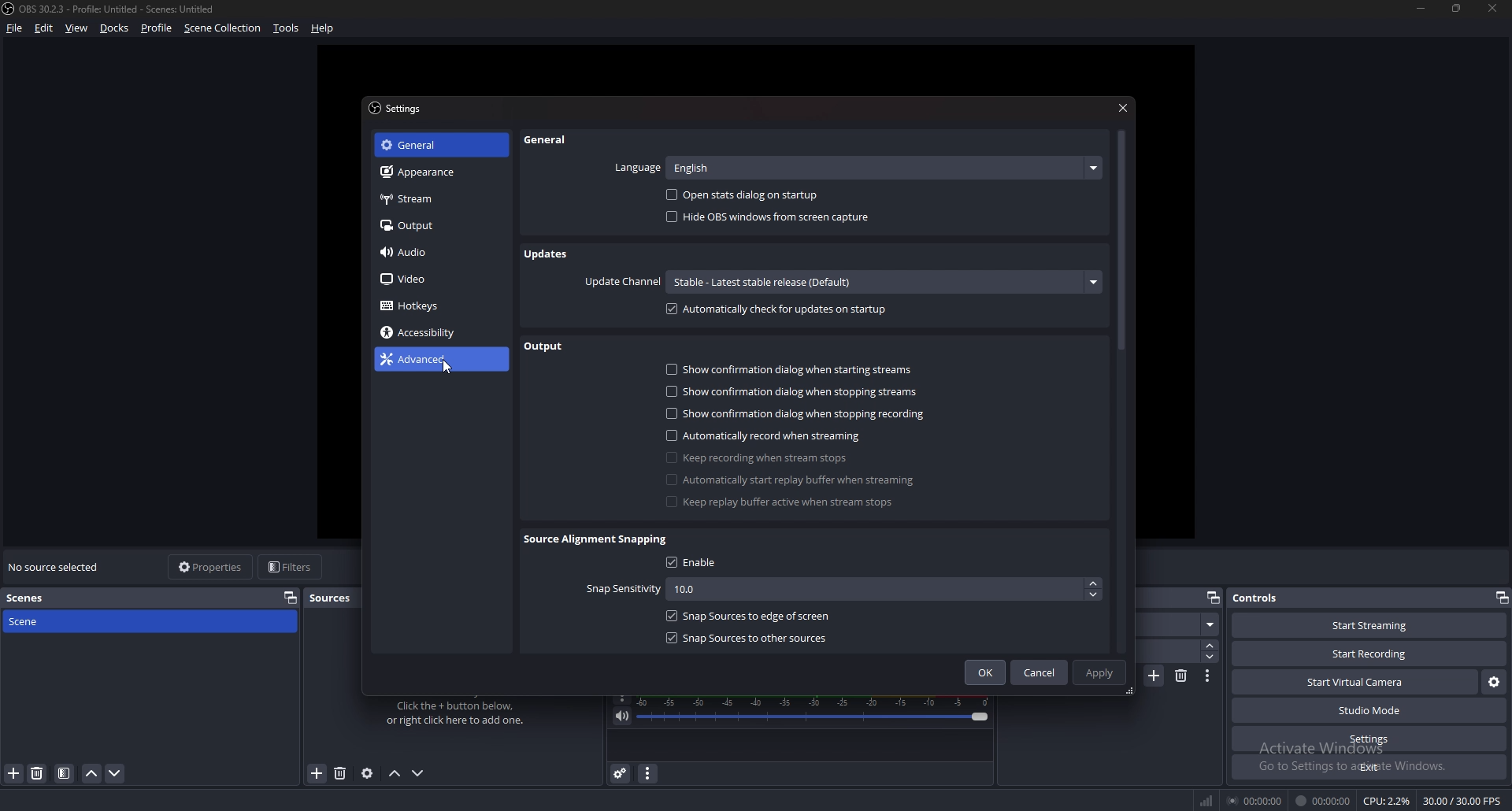 This screenshot has width=1512, height=811. What do you see at coordinates (1493, 8) in the screenshot?
I see `close` at bounding box center [1493, 8].